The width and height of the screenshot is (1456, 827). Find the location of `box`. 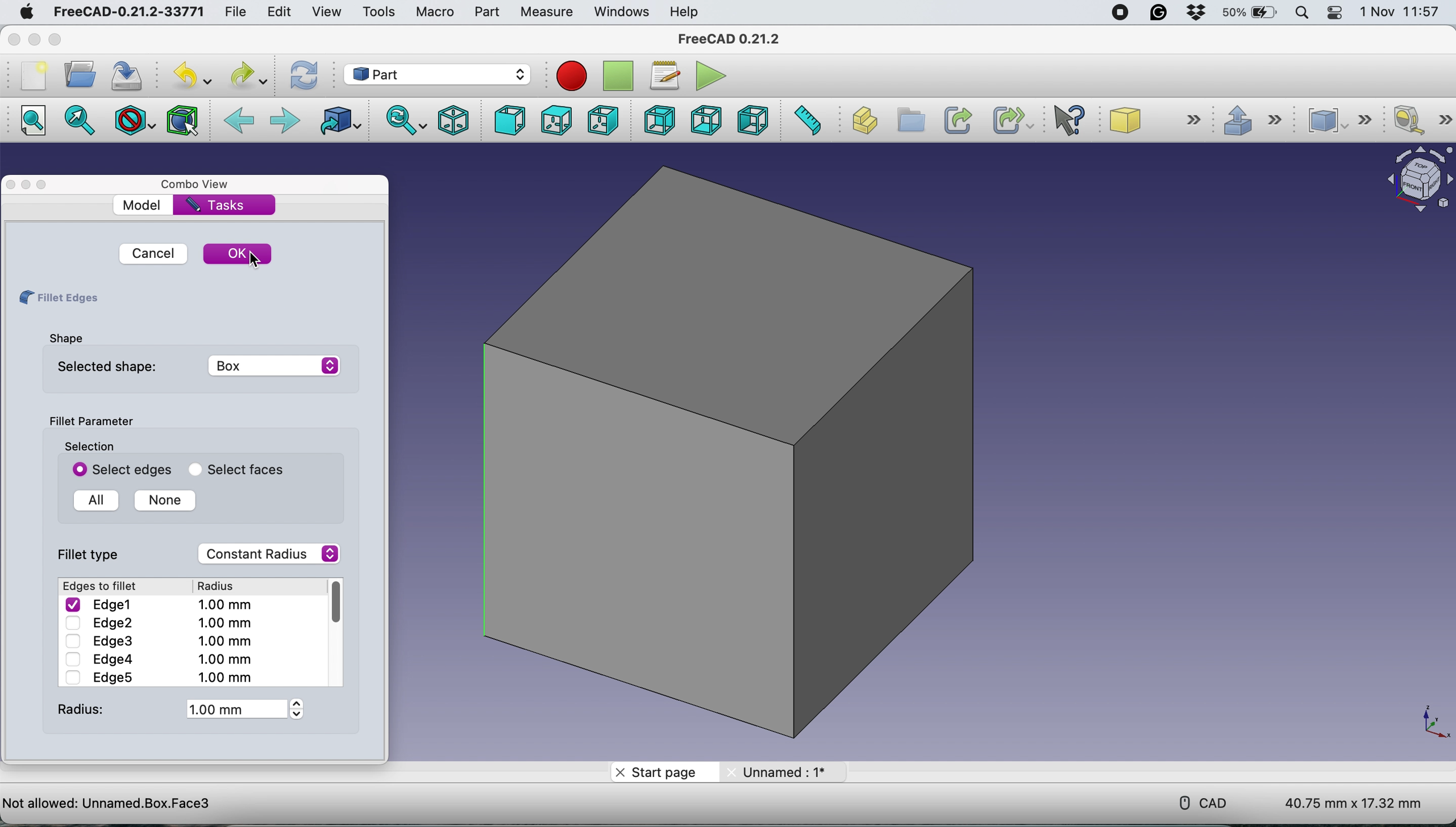

box is located at coordinates (730, 450).